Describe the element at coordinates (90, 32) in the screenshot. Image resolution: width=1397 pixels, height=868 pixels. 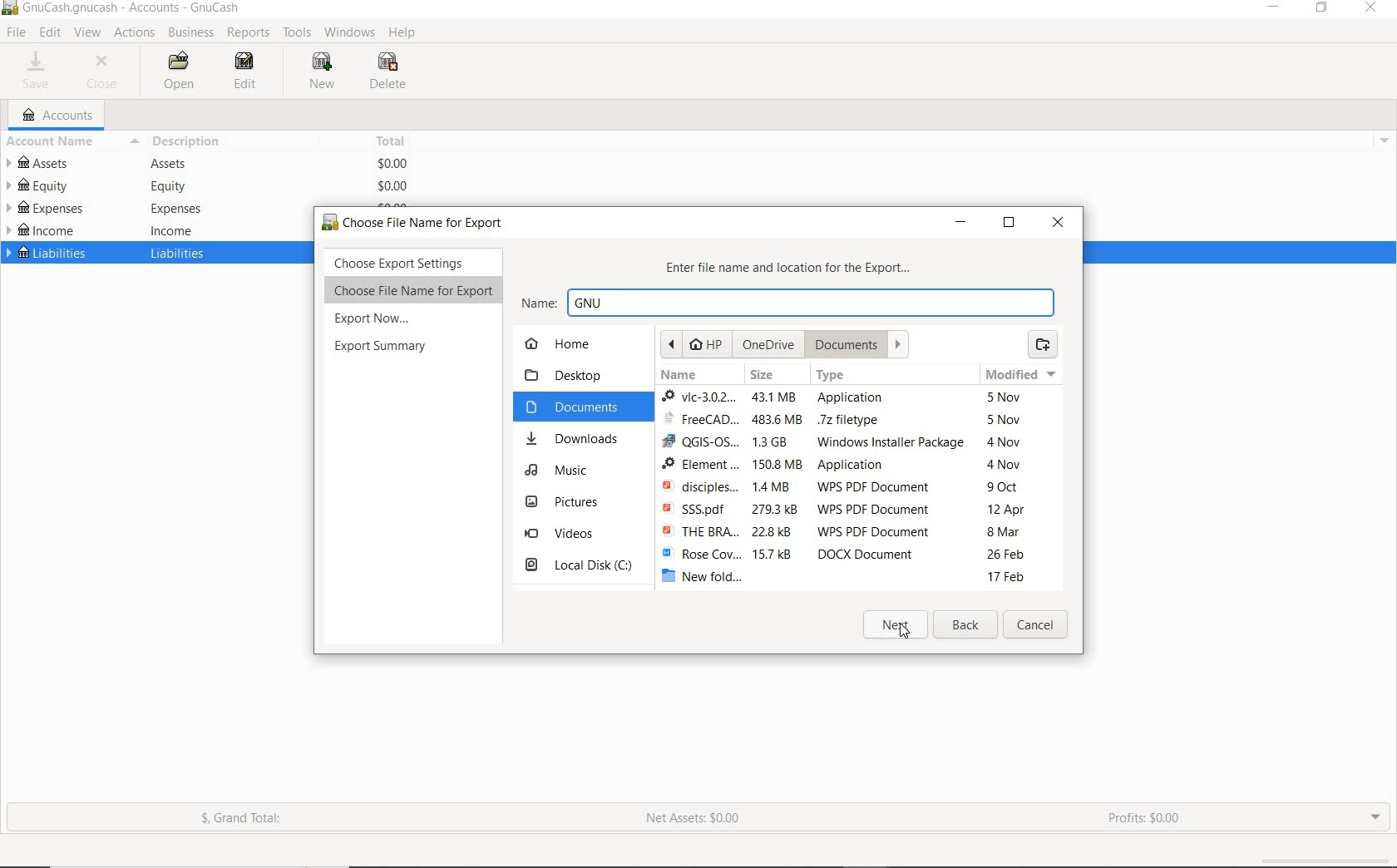
I see `VIEW` at that location.